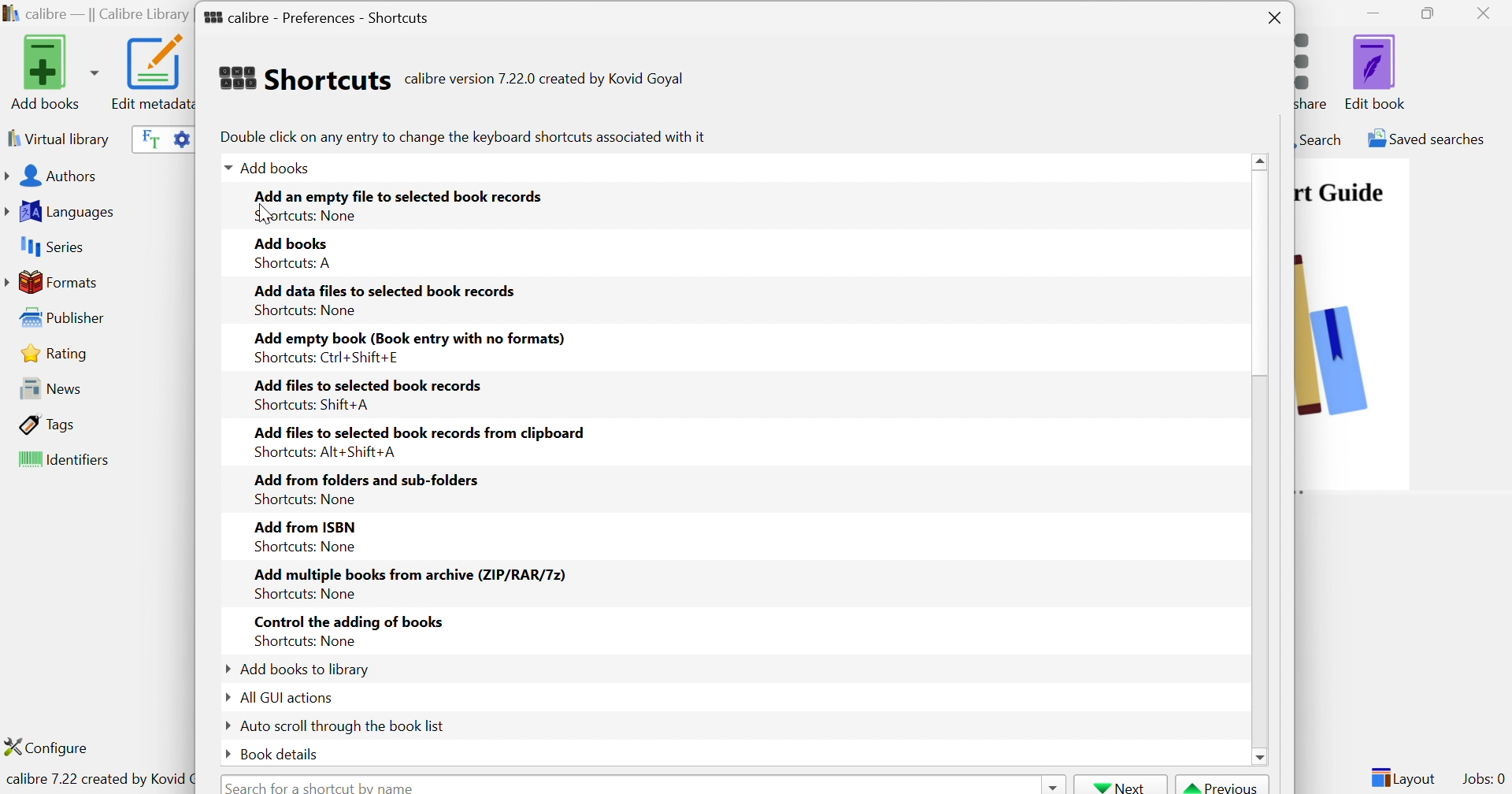  What do you see at coordinates (48, 424) in the screenshot?
I see `Tags` at bounding box center [48, 424].